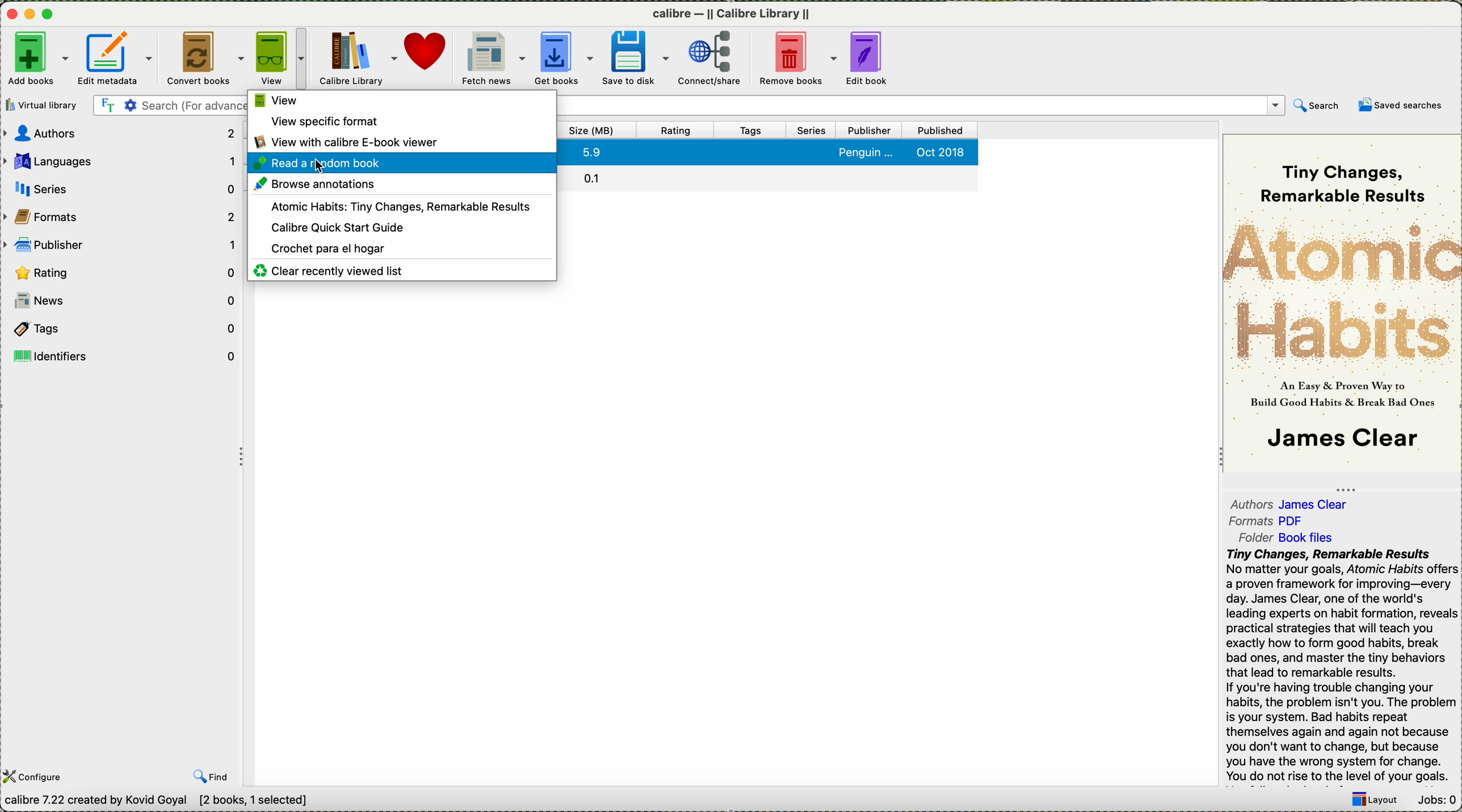 Image resolution: width=1462 pixels, height=812 pixels. What do you see at coordinates (768, 155) in the screenshot?
I see `` at bounding box center [768, 155].